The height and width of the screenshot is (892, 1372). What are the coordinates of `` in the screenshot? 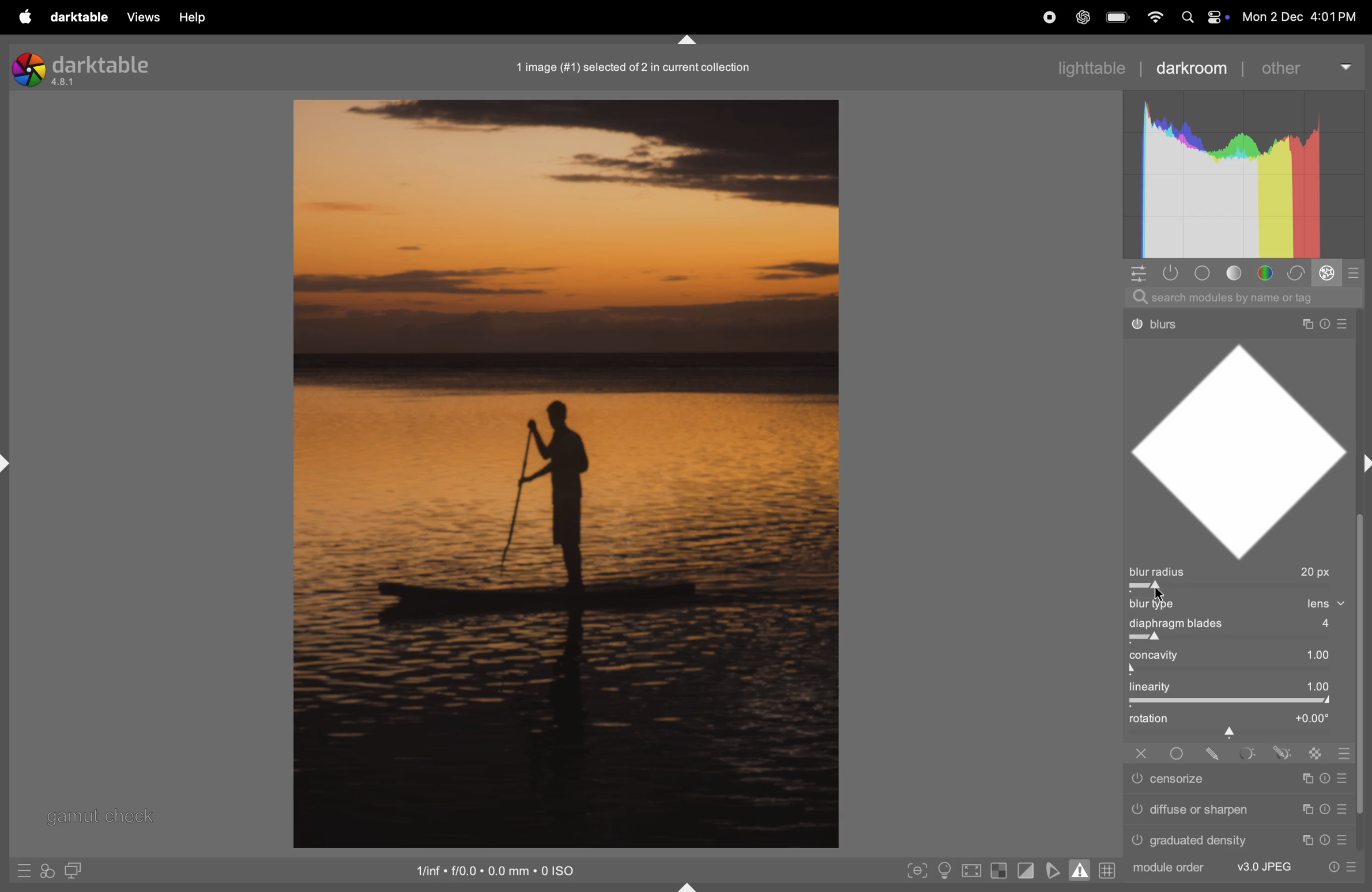 It's located at (1242, 839).